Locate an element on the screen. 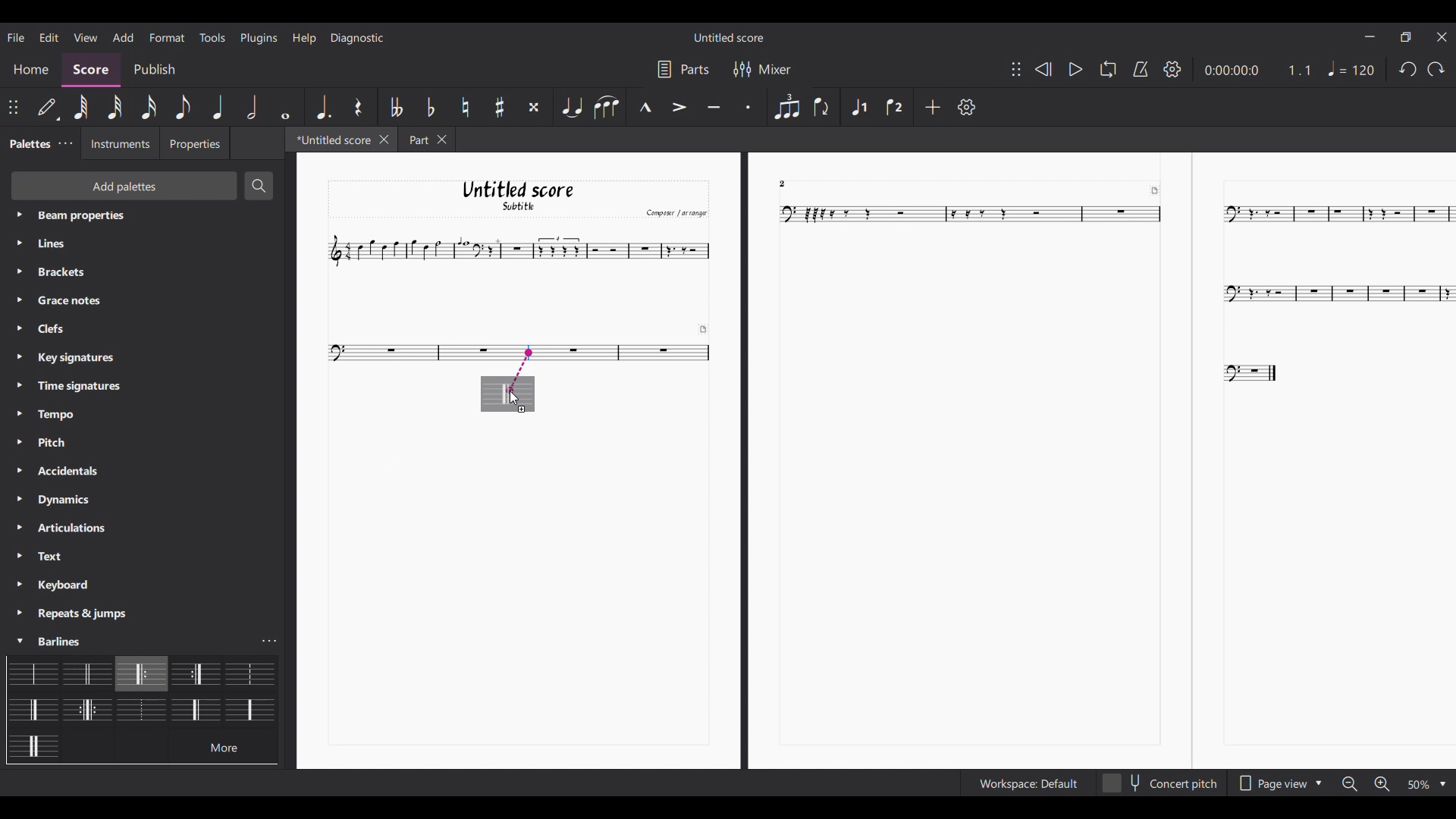 This screenshot has height=819, width=1456. Palette settings is located at coordinates (87, 613).